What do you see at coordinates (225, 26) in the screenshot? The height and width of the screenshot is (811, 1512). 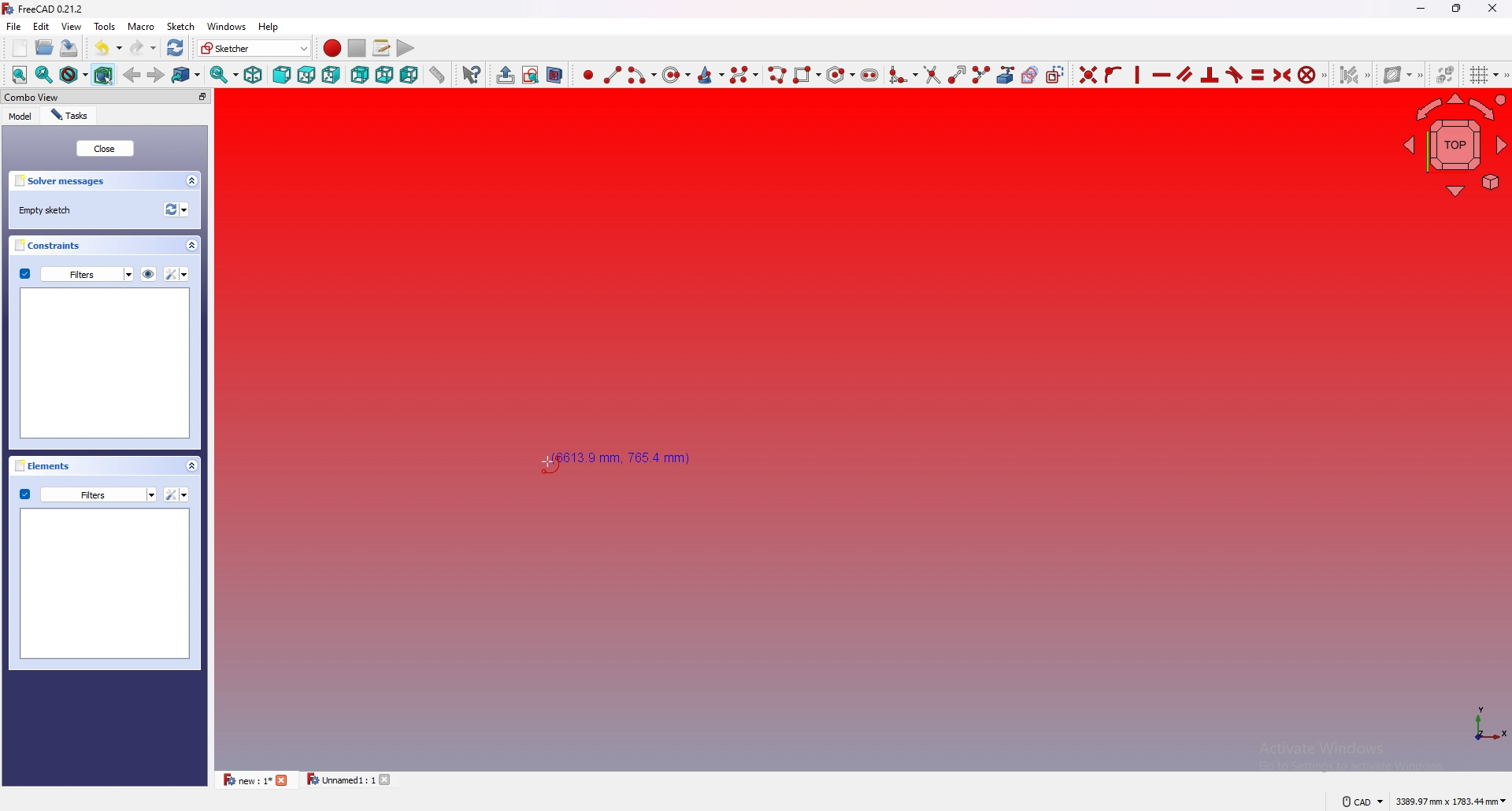 I see `windows` at bounding box center [225, 26].